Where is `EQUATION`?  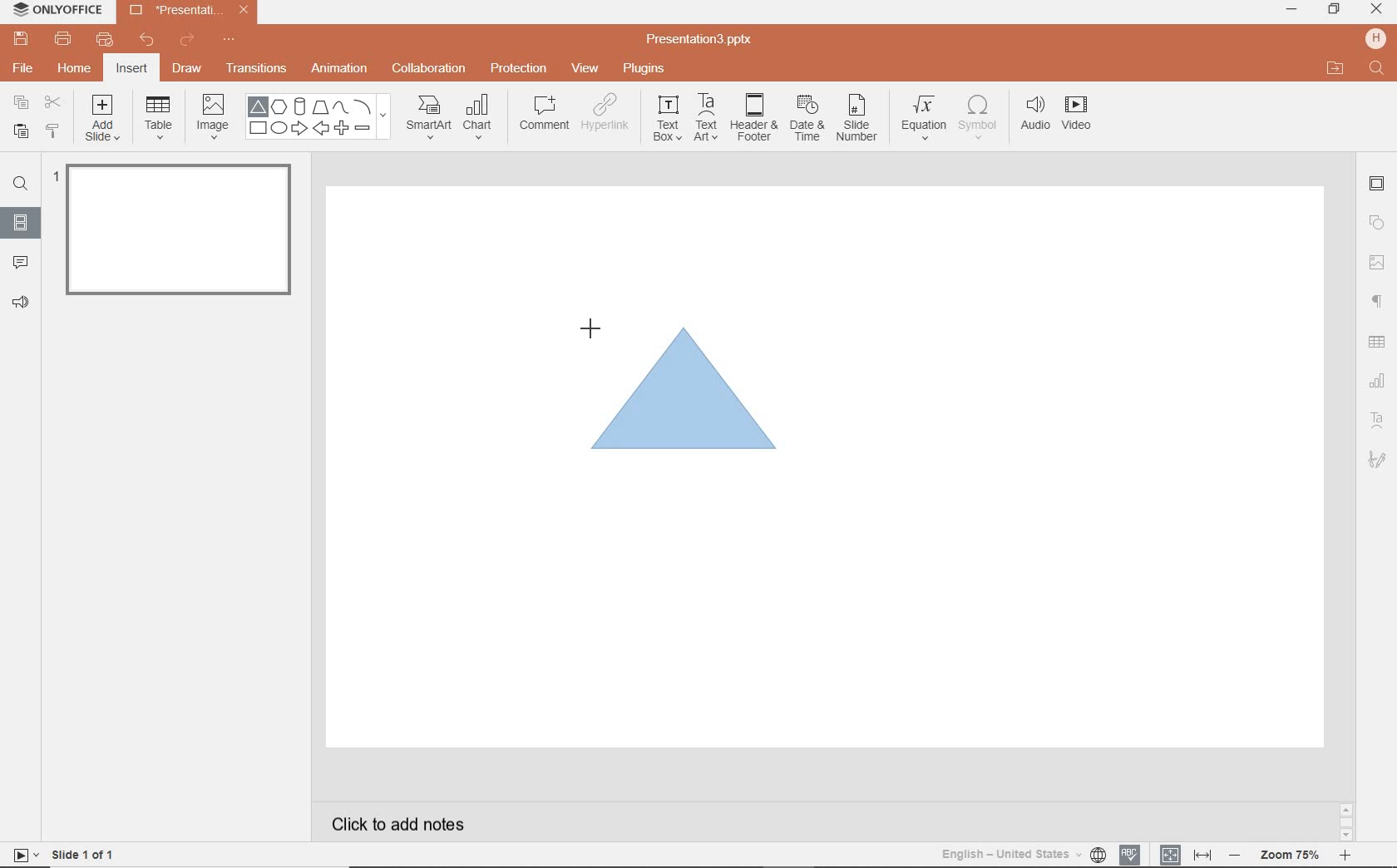 EQUATION is located at coordinates (925, 121).